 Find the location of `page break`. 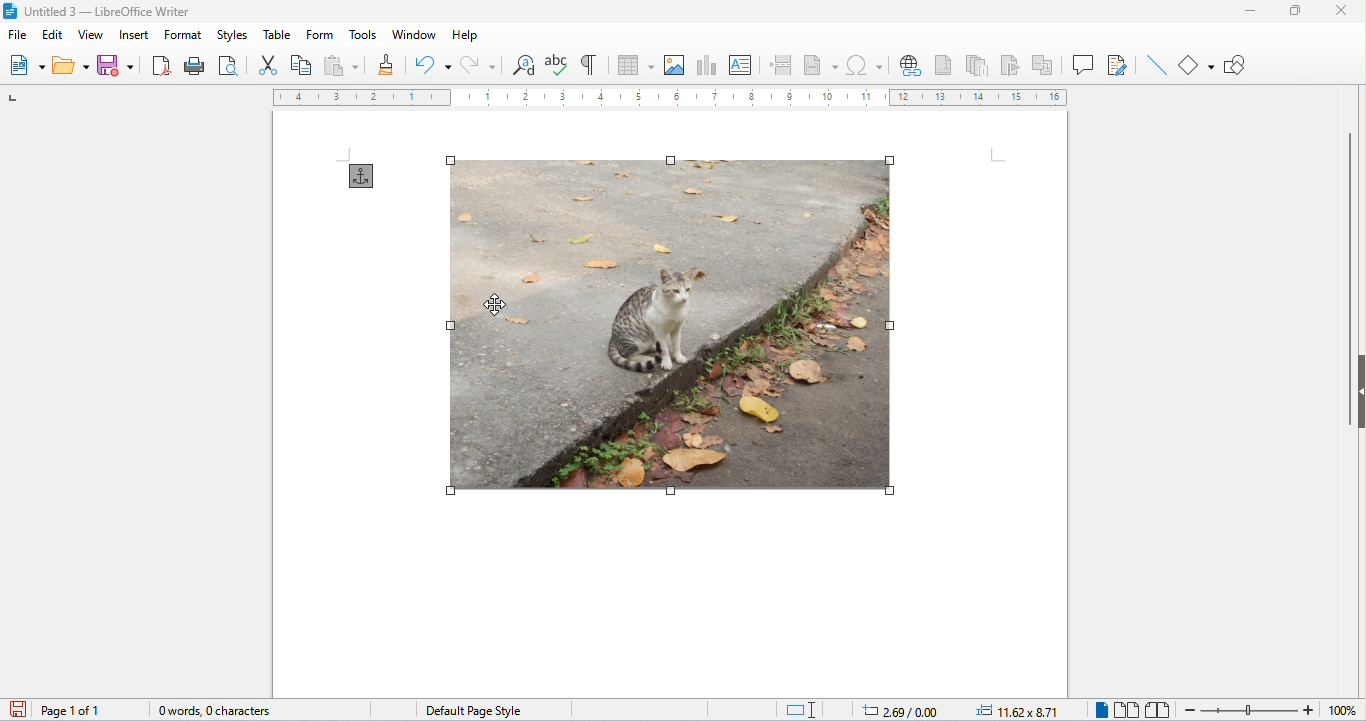

page break is located at coordinates (784, 65).